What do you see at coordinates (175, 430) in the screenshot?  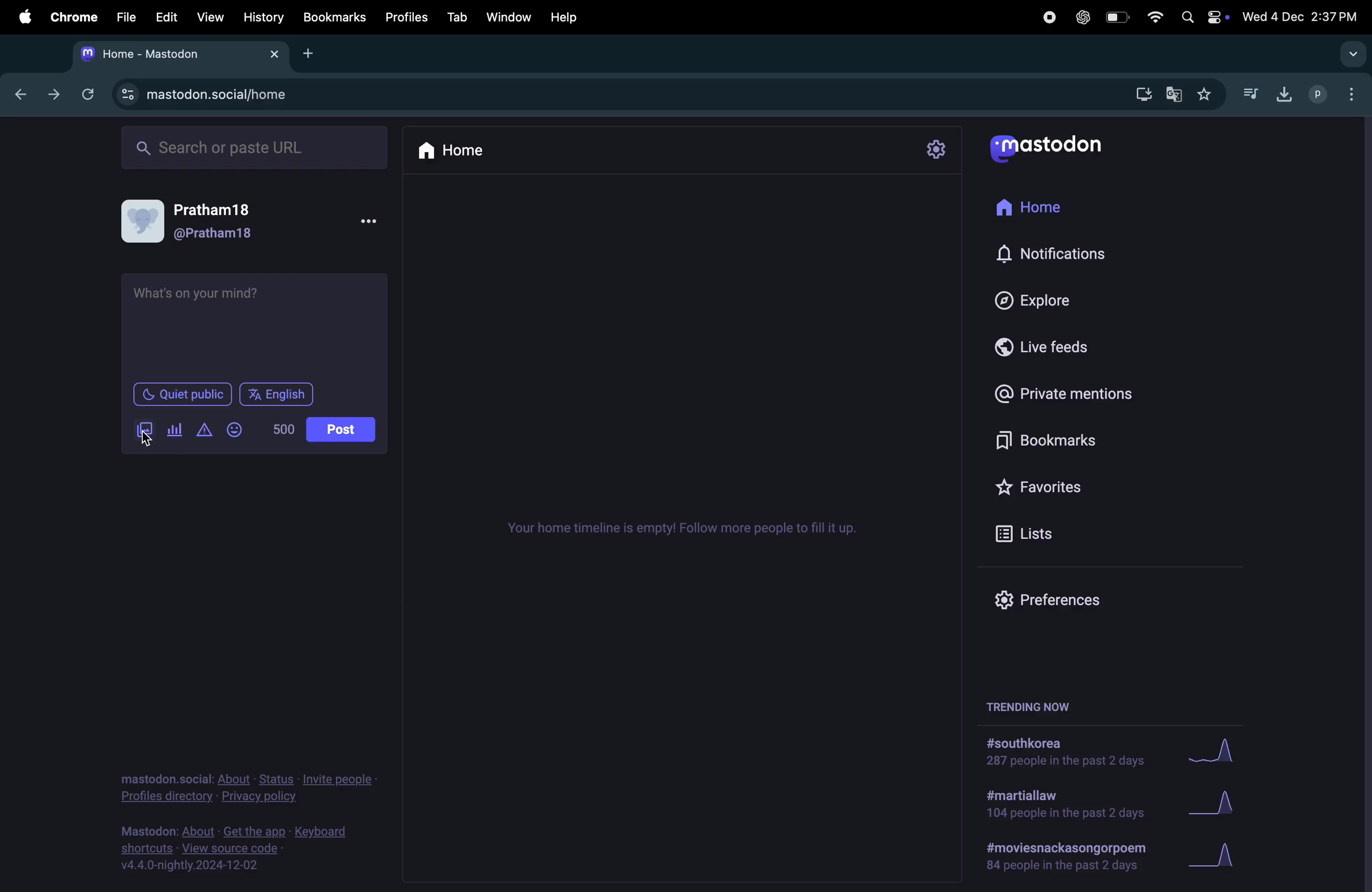 I see `poll` at bounding box center [175, 430].